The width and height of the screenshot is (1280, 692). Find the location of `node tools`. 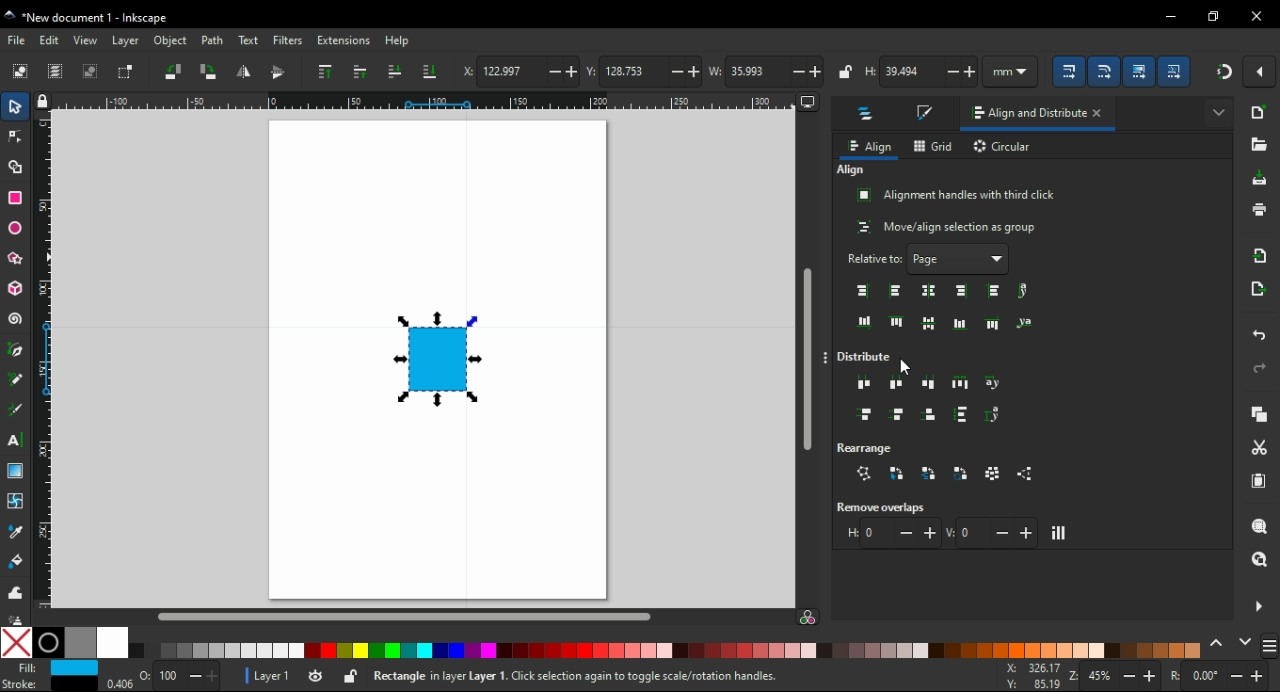

node tools is located at coordinates (15, 137).